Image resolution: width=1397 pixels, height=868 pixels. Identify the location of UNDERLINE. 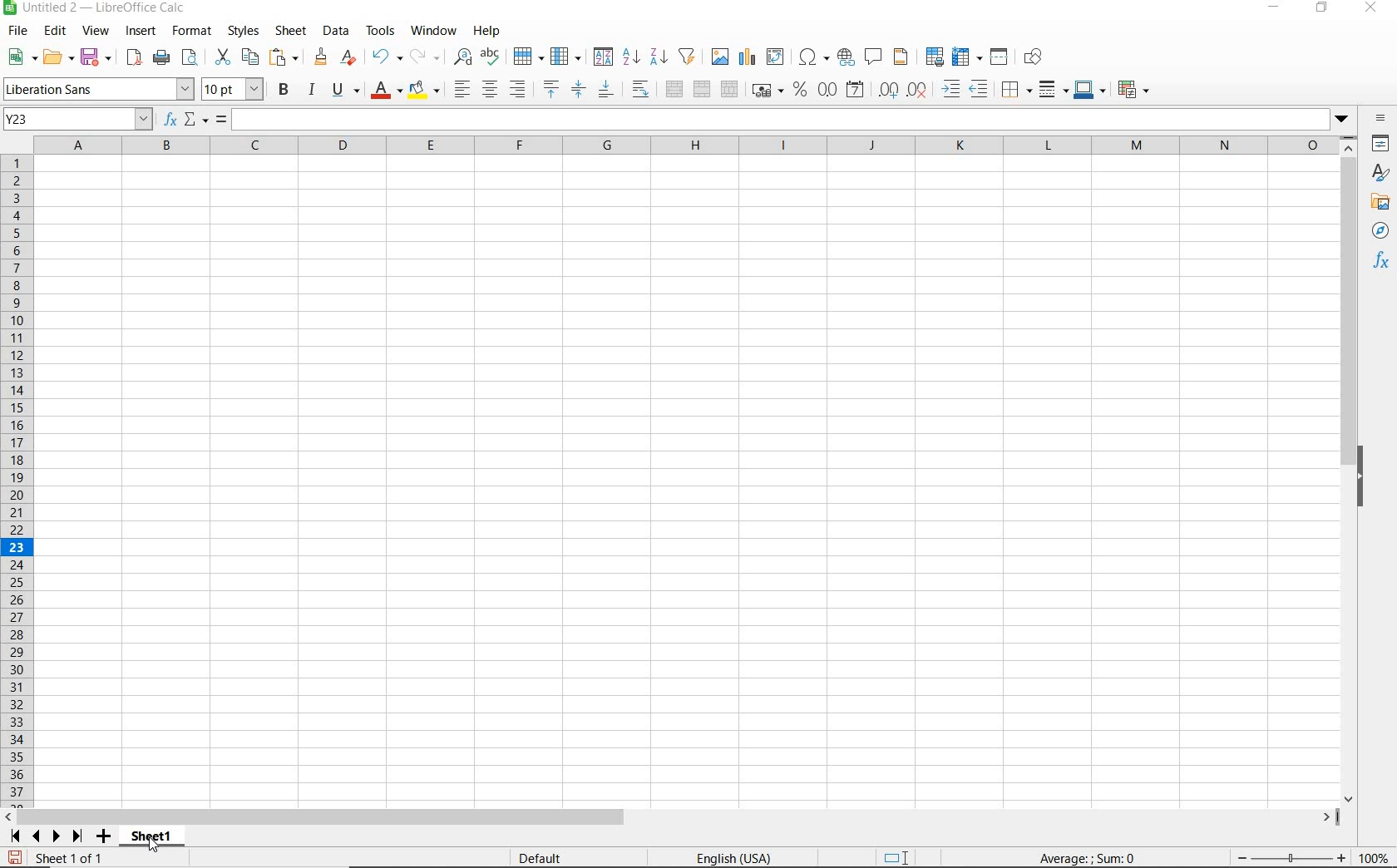
(345, 91).